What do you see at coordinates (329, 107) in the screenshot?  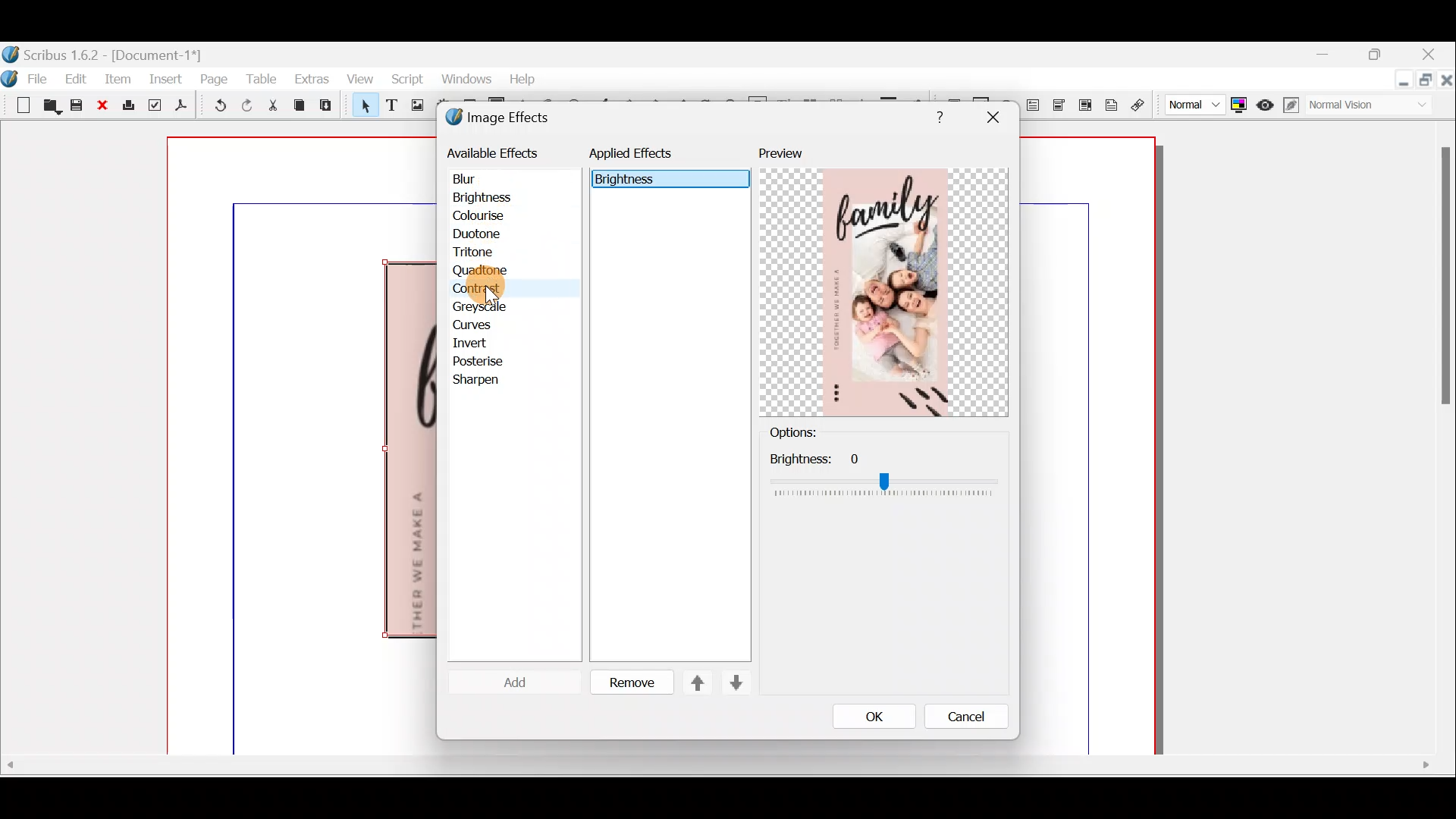 I see `Paste` at bounding box center [329, 107].